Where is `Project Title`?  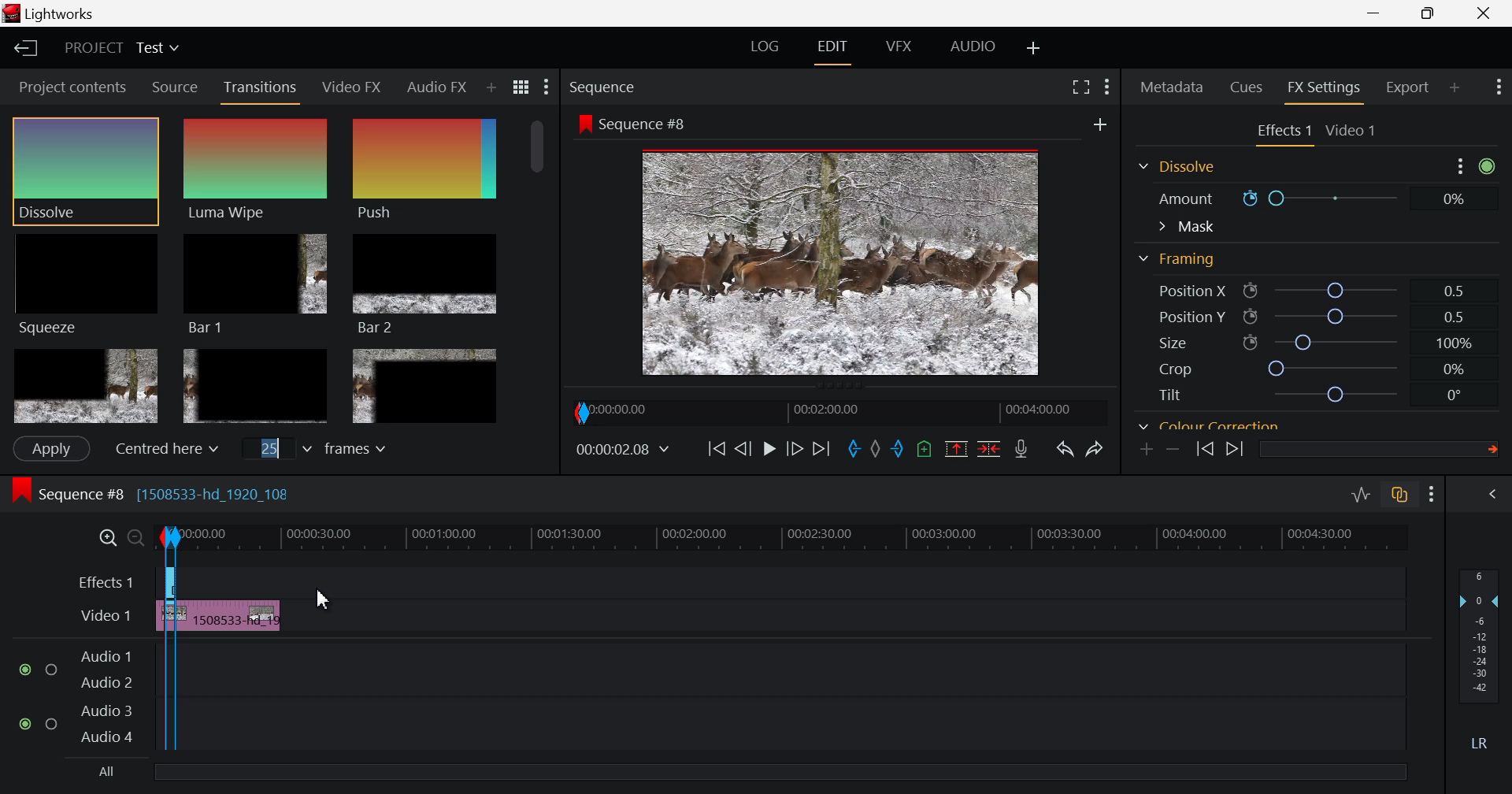 Project Title is located at coordinates (121, 50).